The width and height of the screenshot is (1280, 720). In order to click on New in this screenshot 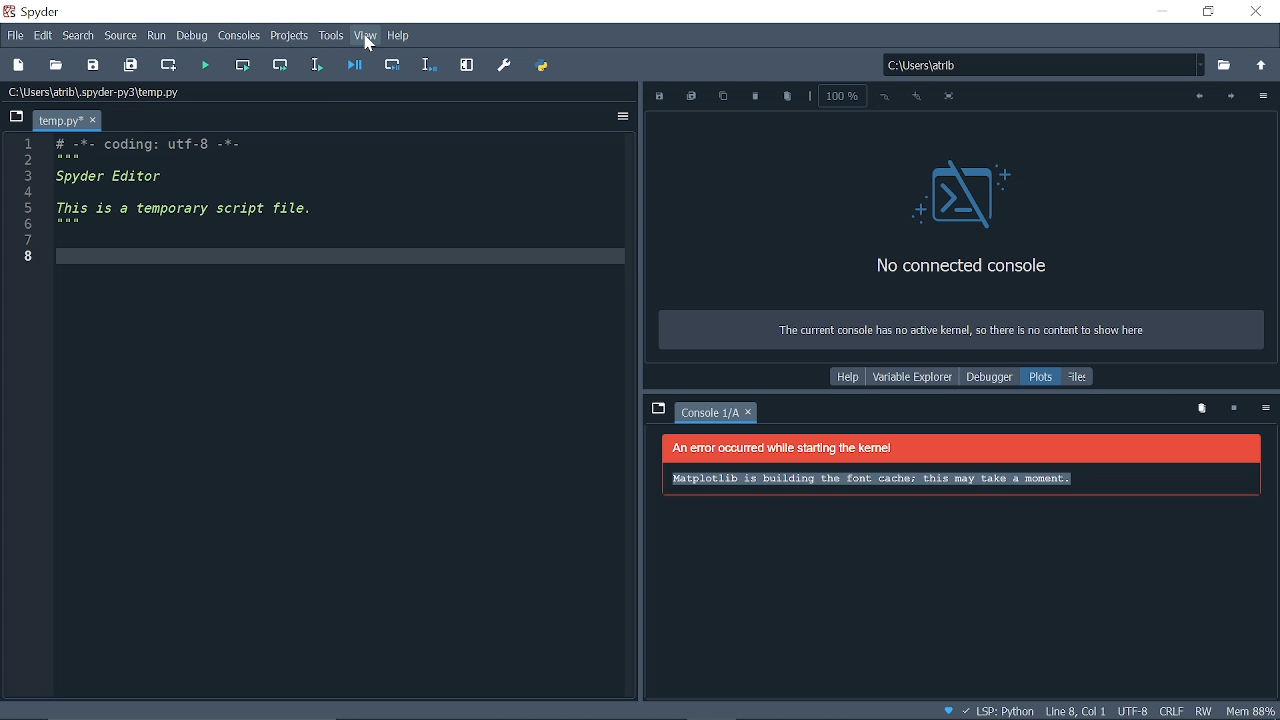, I will do `click(18, 65)`.